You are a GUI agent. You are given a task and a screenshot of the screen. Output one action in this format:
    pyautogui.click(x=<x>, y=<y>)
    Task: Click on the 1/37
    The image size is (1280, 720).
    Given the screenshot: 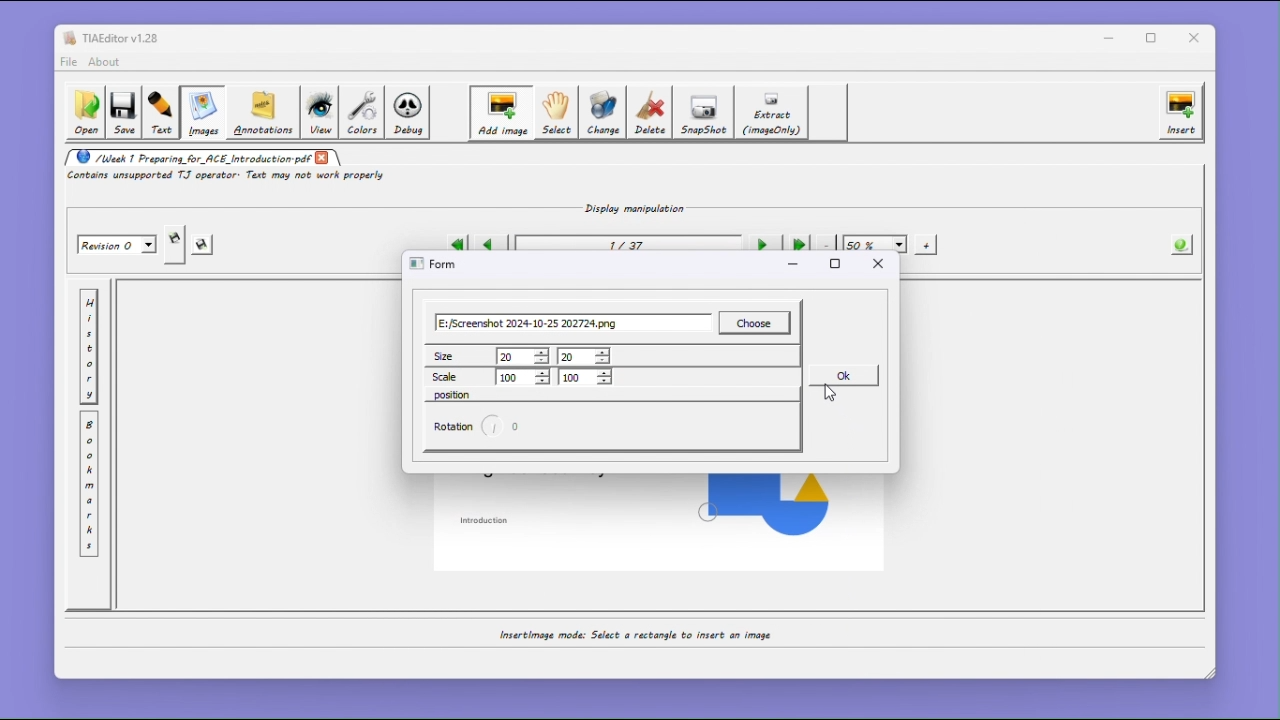 What is the action you would take?
    pyautogui.click(x=625, y=246)
    